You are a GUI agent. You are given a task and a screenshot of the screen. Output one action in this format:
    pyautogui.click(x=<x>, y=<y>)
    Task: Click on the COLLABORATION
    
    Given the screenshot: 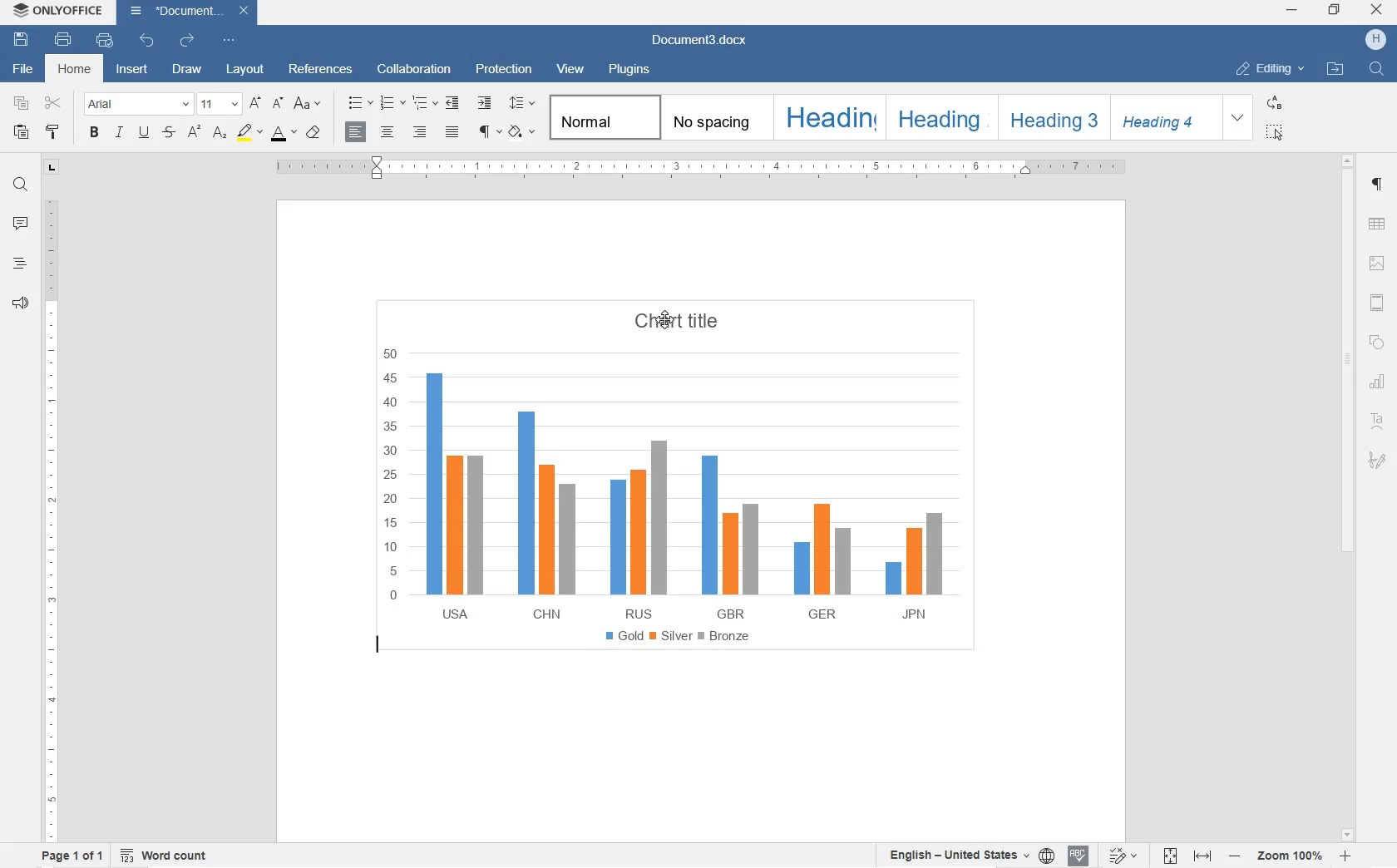 What is the action you would take?
    pyautogui.click(x=412, y=70)
    